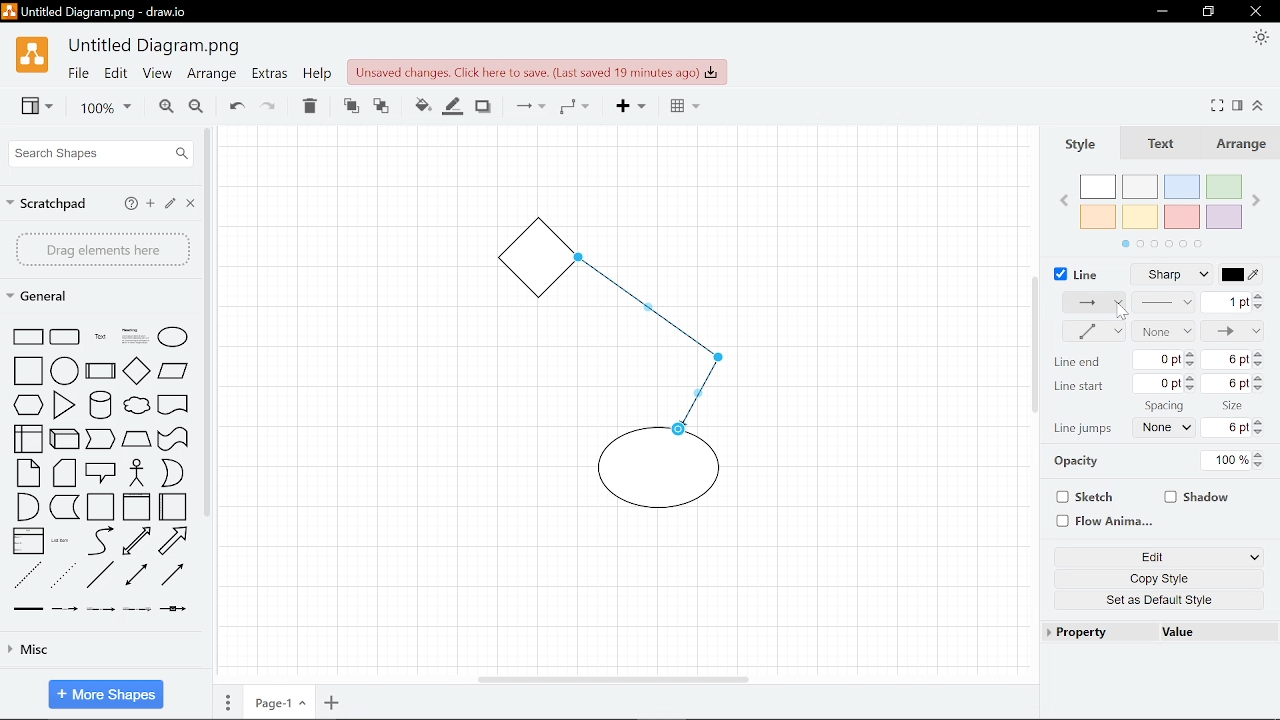 Image resolution: width=1280 pixels, height=720 pixels. I want to click on shape, so click(102, 371).